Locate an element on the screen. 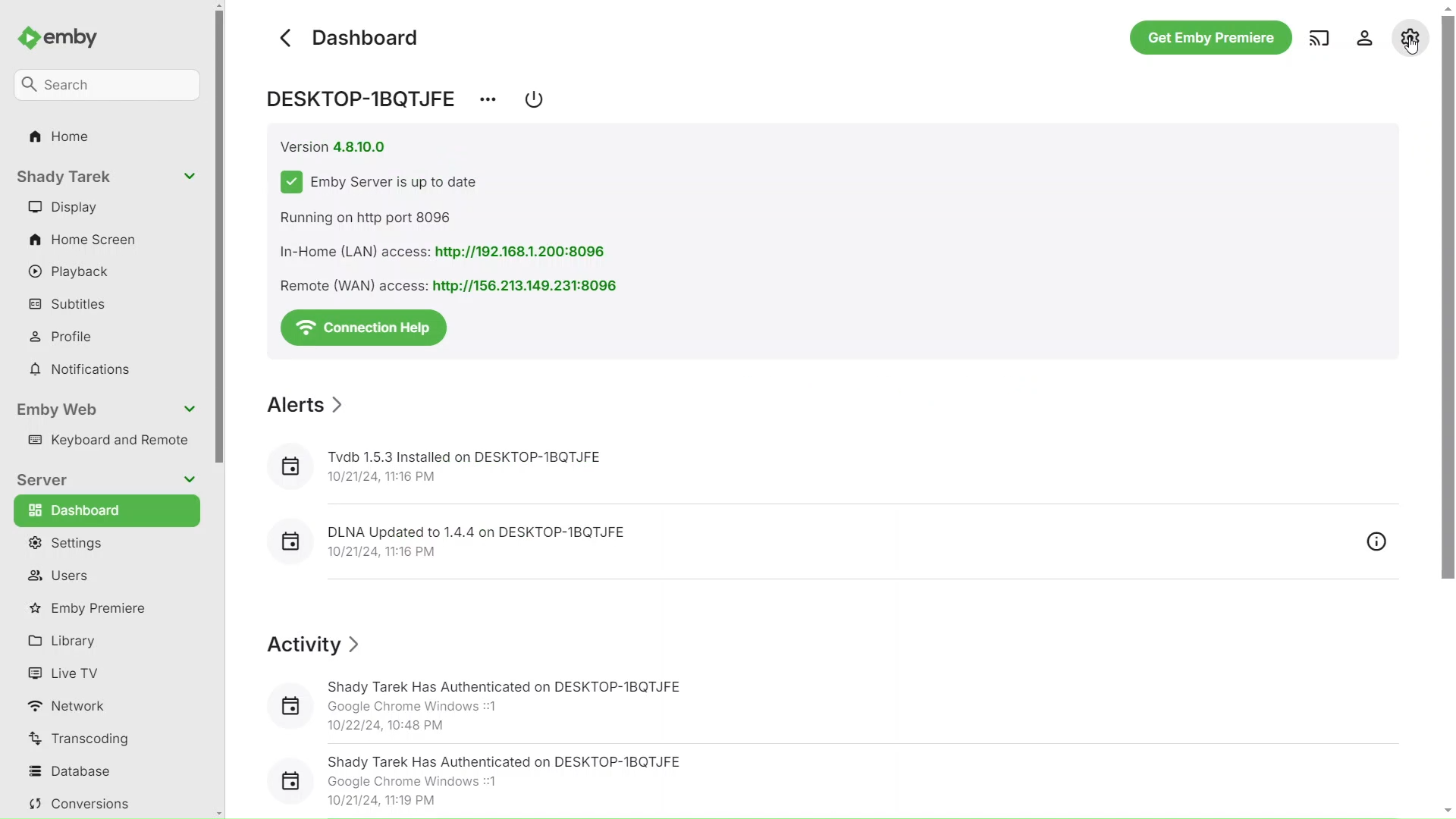 The height and width of the screenshot is (819, 1456). search is located at coordinates (102, 83).